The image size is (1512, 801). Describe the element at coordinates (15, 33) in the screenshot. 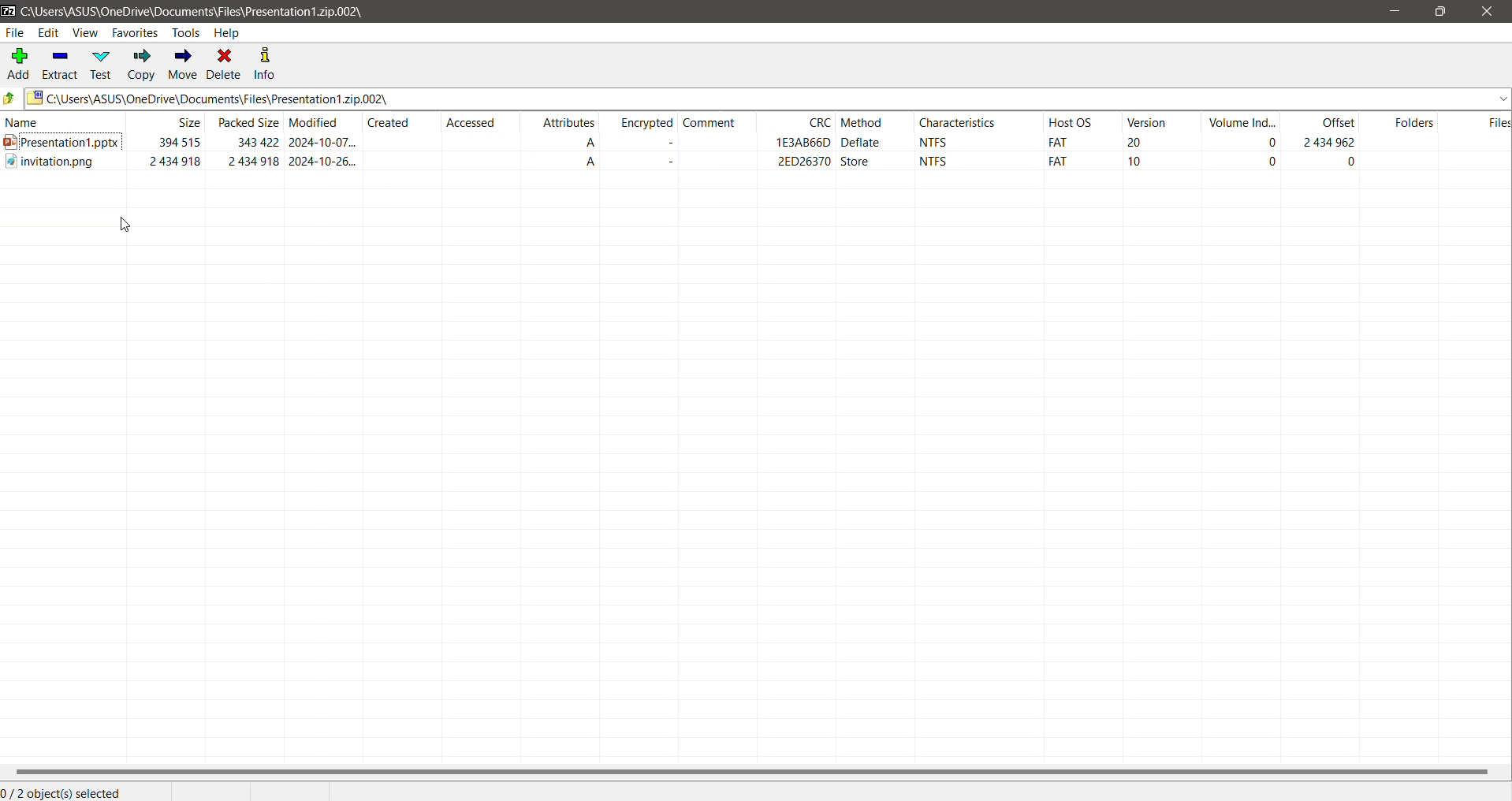

I see `File` at that location.